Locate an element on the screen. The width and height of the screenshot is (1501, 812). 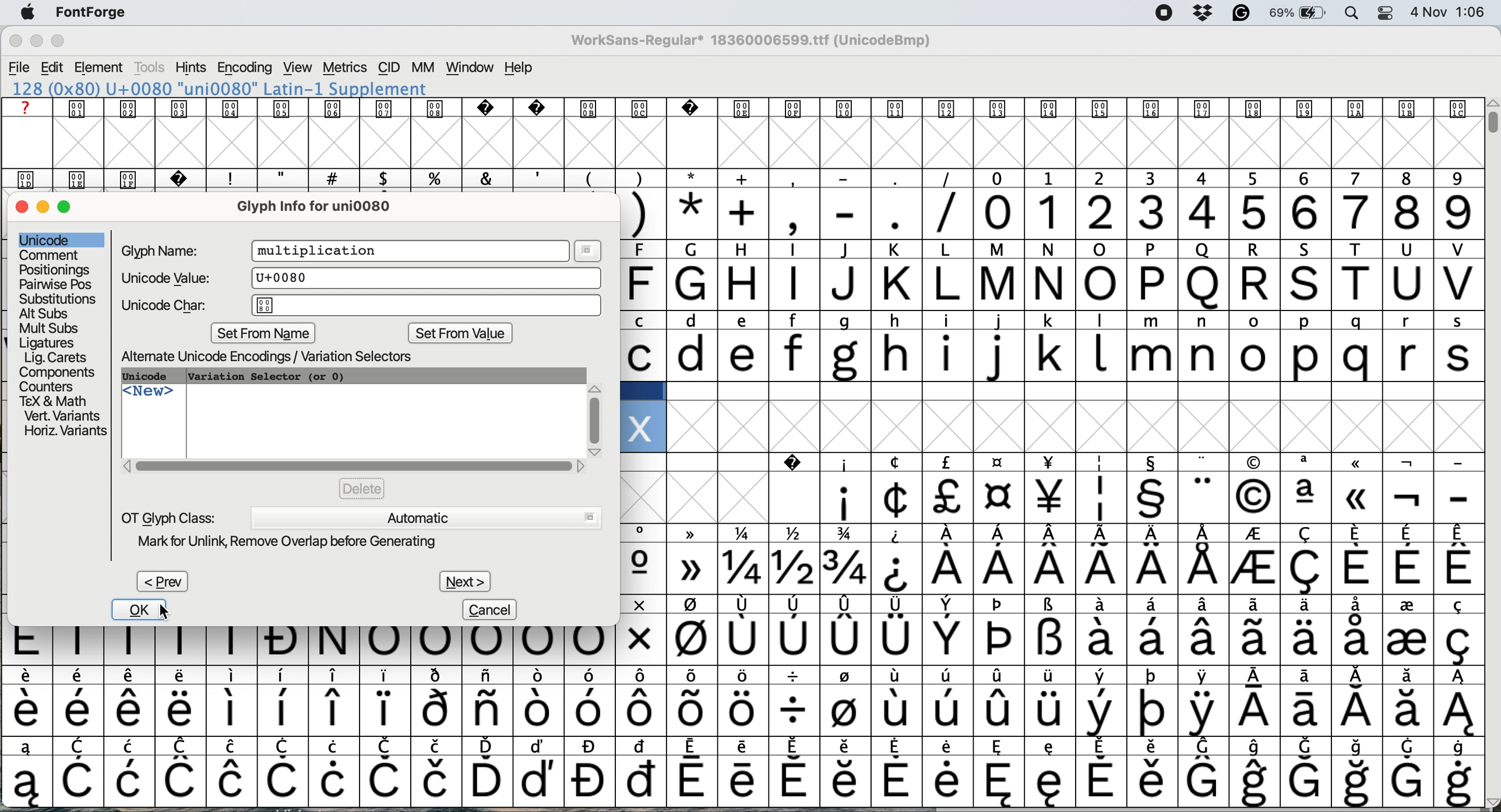
mark for unlink remove overlap before generating is located at coordinates (300, 543).